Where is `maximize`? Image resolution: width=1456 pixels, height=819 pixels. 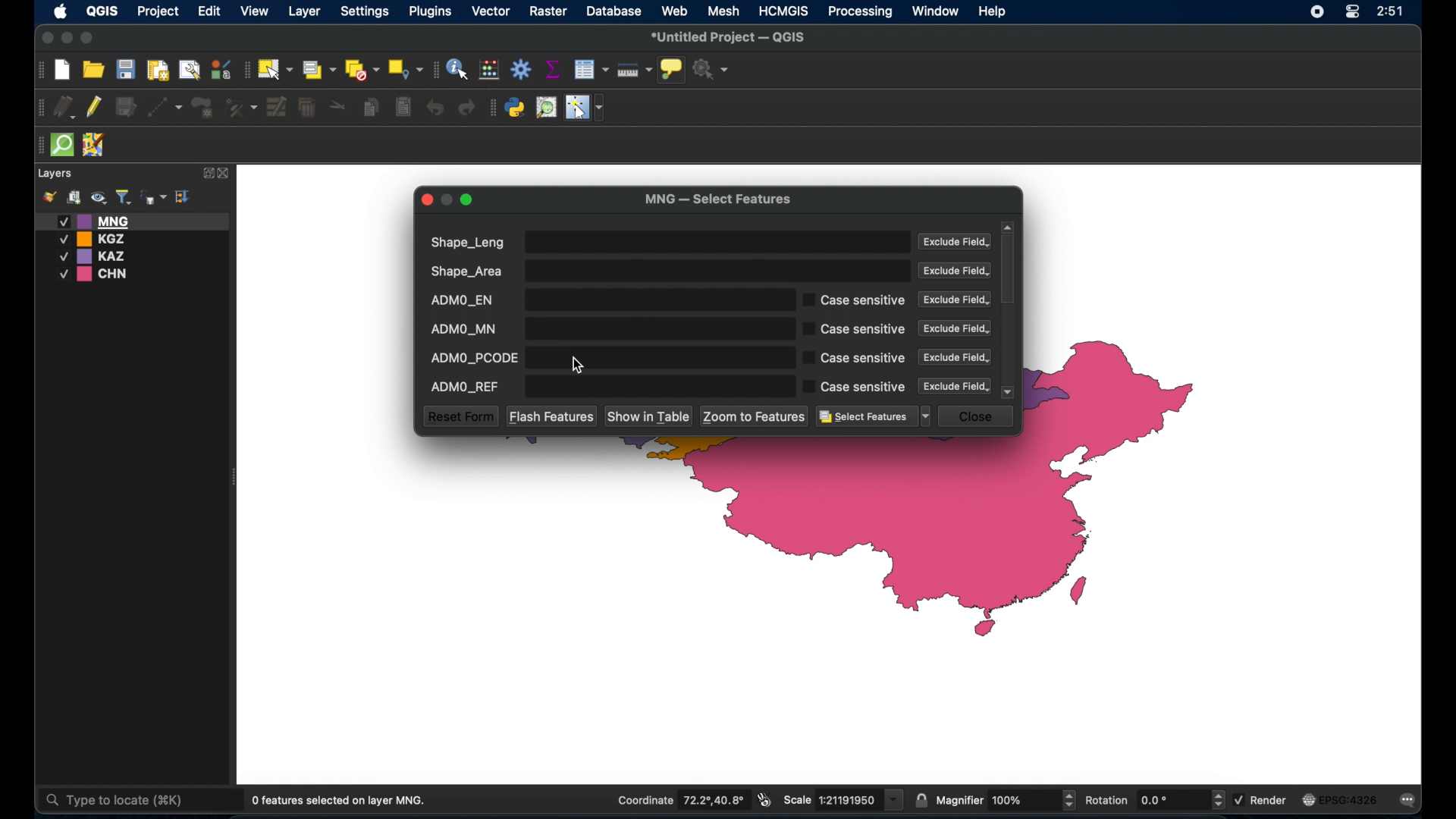
maximize is located at coordinates (88, 39).